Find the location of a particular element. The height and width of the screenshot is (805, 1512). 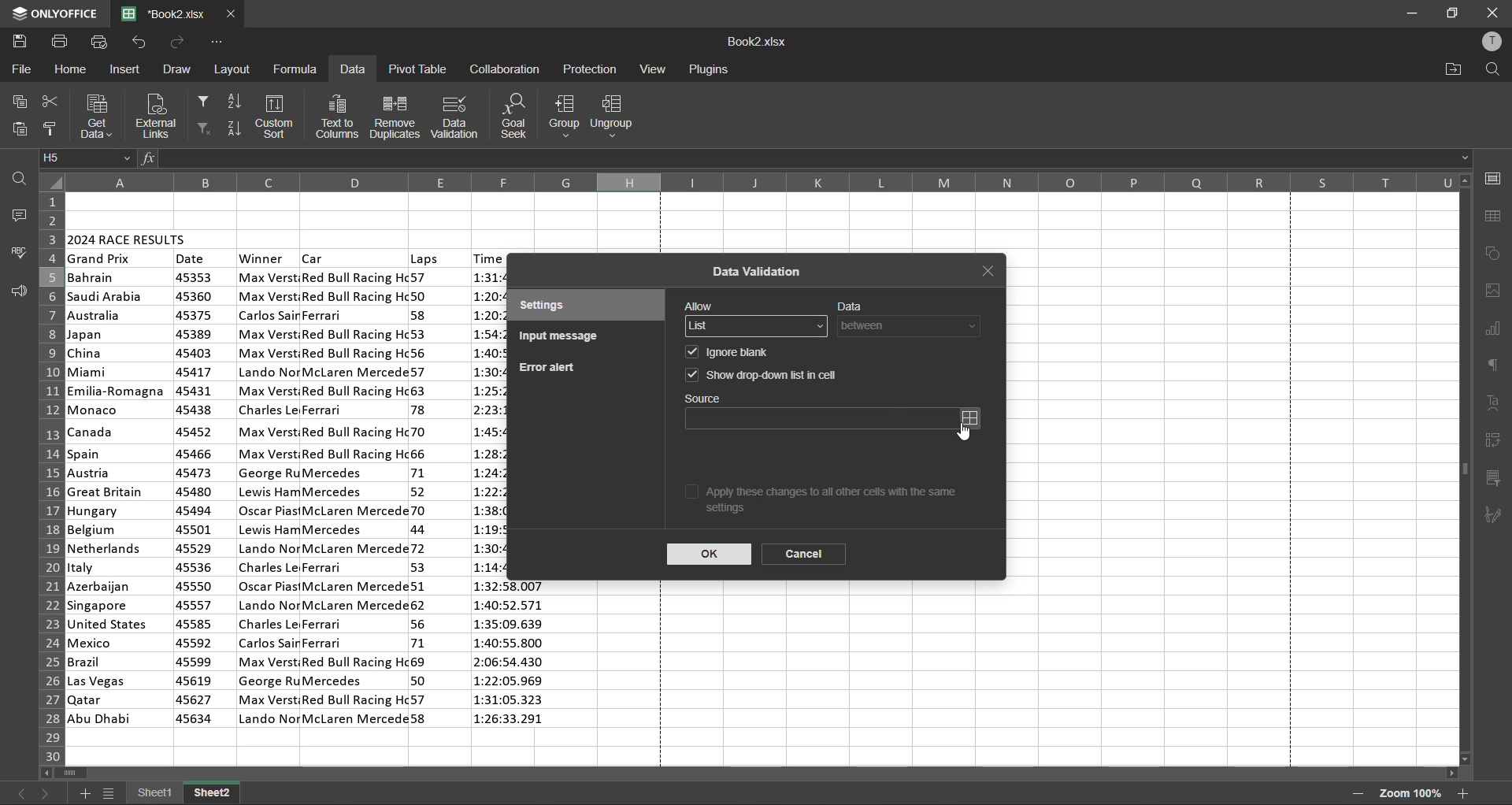

cell settings is located at coordinates (1492, 178).